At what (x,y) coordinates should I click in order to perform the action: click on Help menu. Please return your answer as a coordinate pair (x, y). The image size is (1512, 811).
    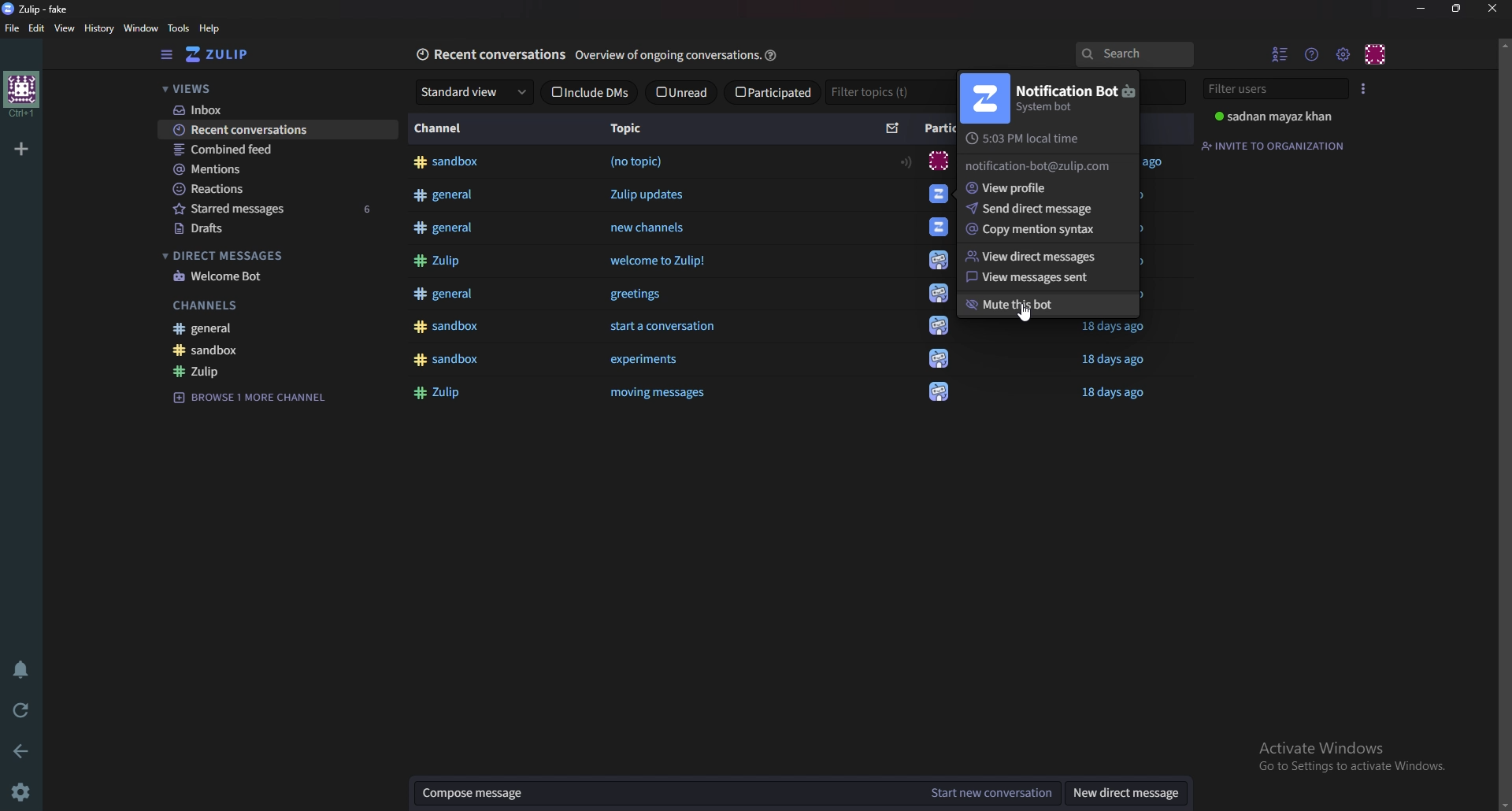
    Looking at the image, I should click on (1311, 55).